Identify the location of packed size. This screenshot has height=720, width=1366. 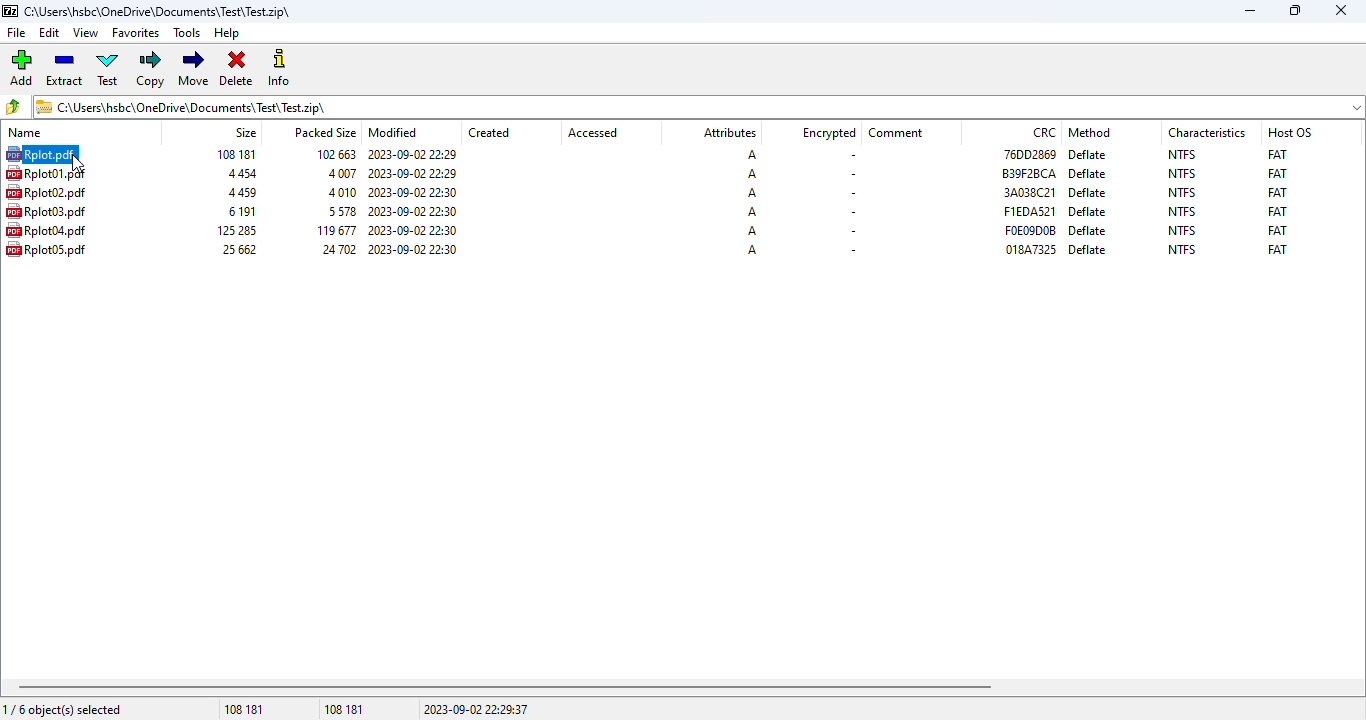
(333, 230).